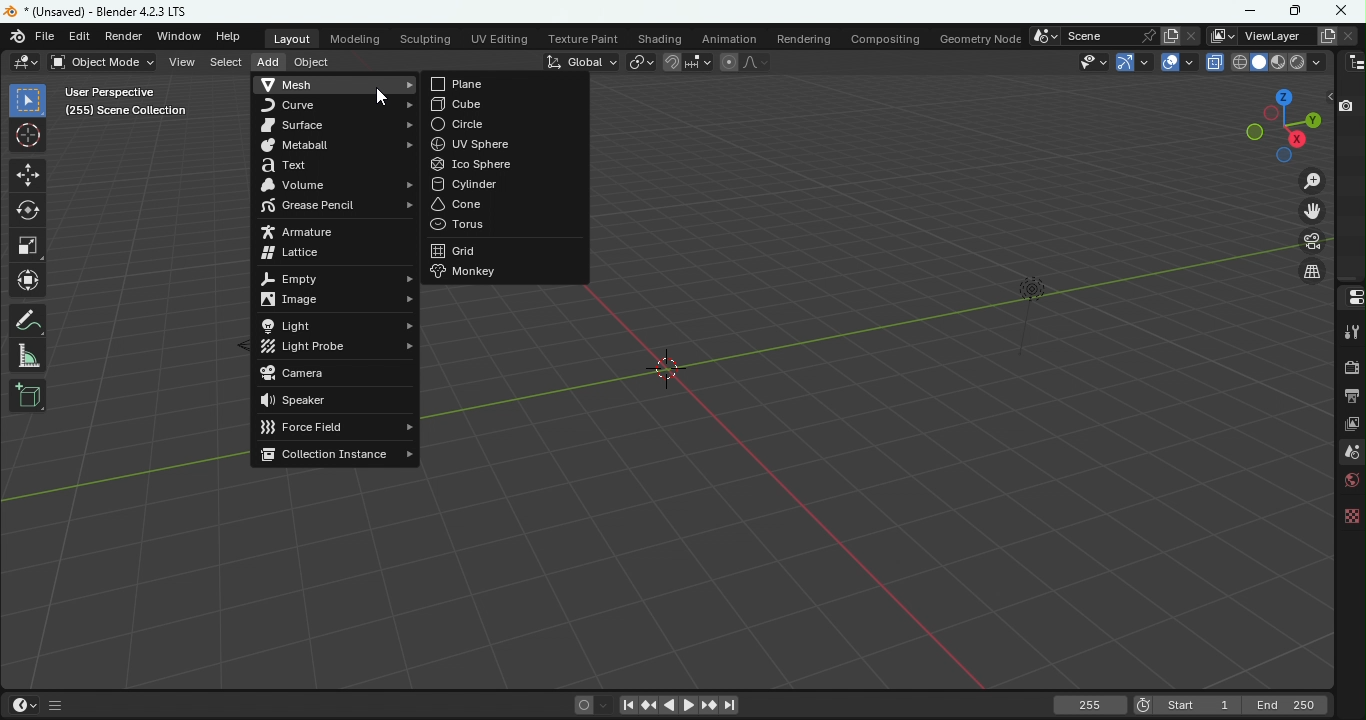 This screenshot has width=1366, height=720. I want to click on UV Editing, so click(499, 36).